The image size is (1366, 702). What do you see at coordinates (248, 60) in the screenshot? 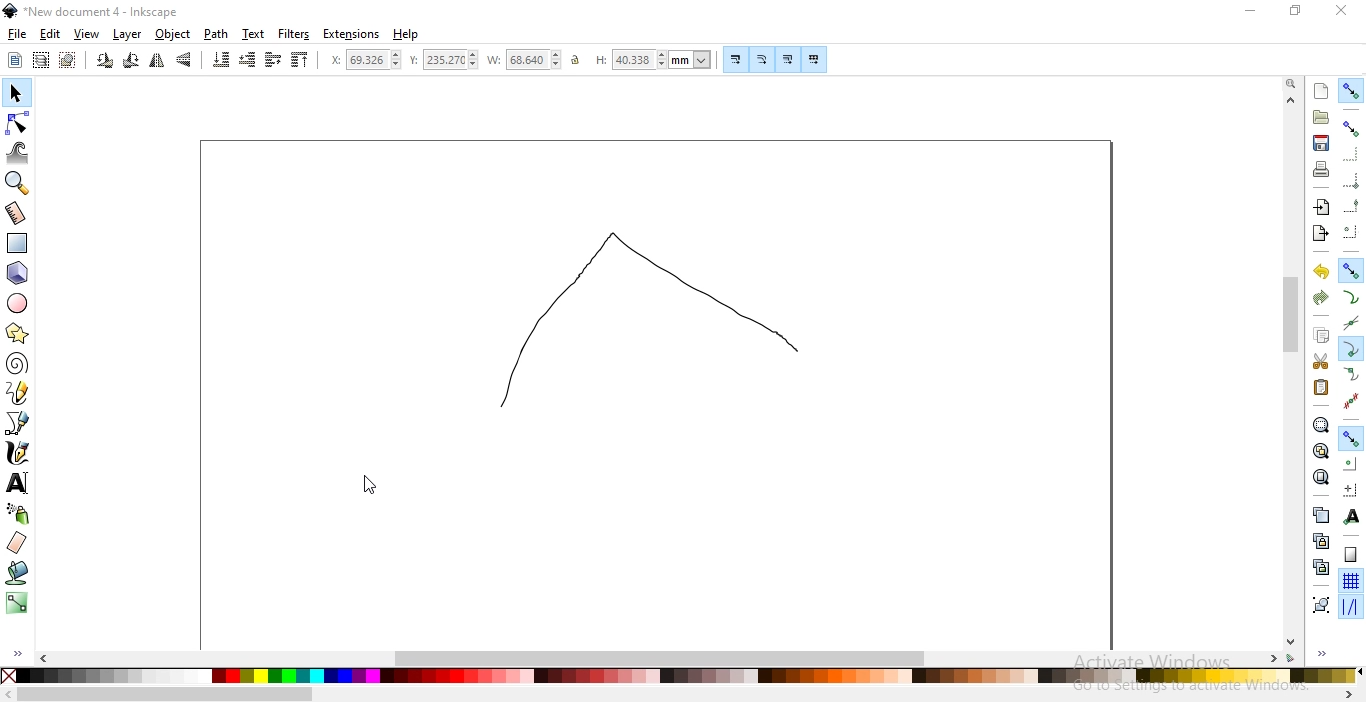
I see `lower selection one step` at bounding box center [248, 60].